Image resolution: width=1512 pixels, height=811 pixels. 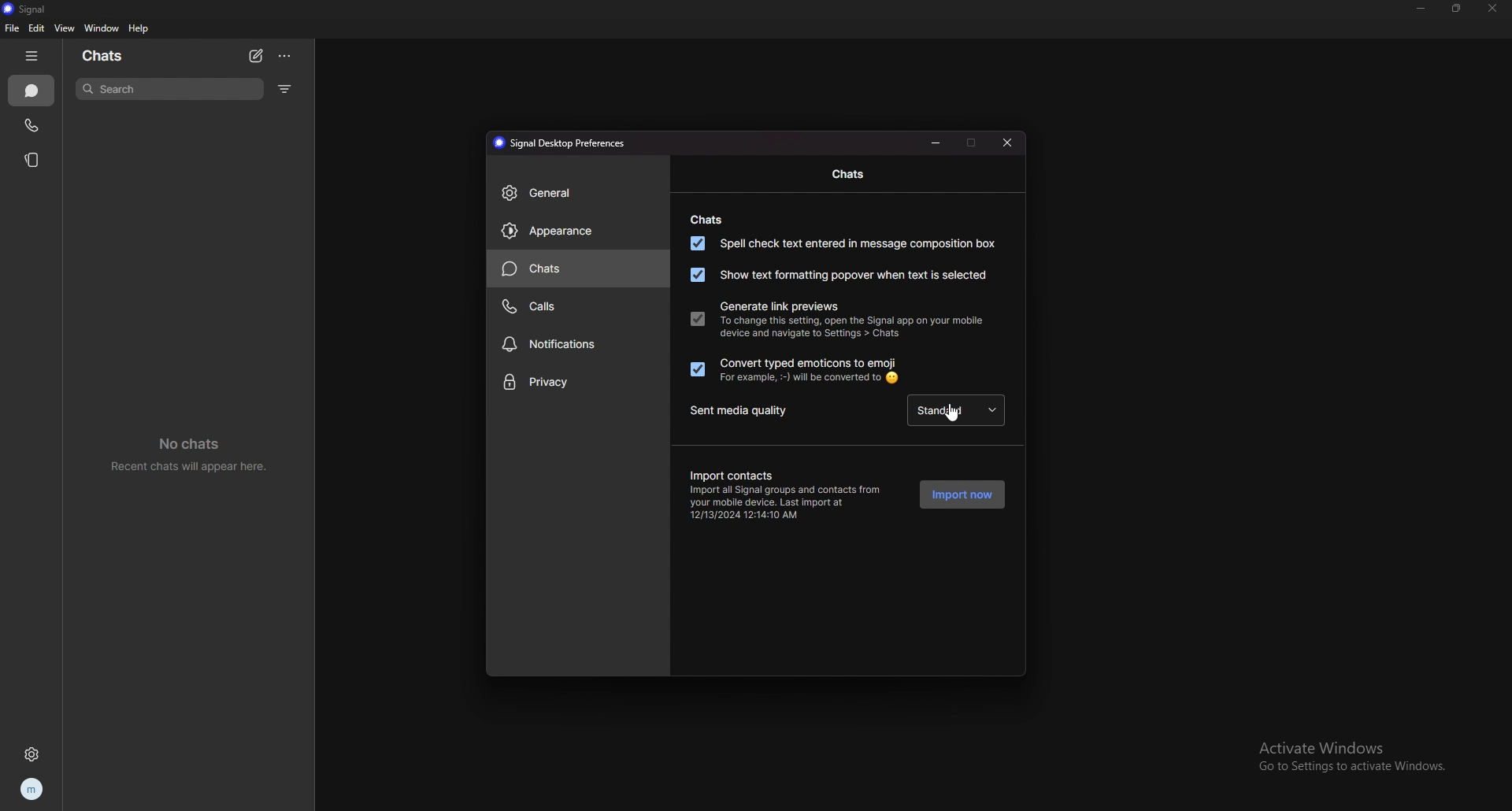 What do you see at coordinates (256, 57) in the screenshot?
I see `new chat` at bounding box center [256, 57].